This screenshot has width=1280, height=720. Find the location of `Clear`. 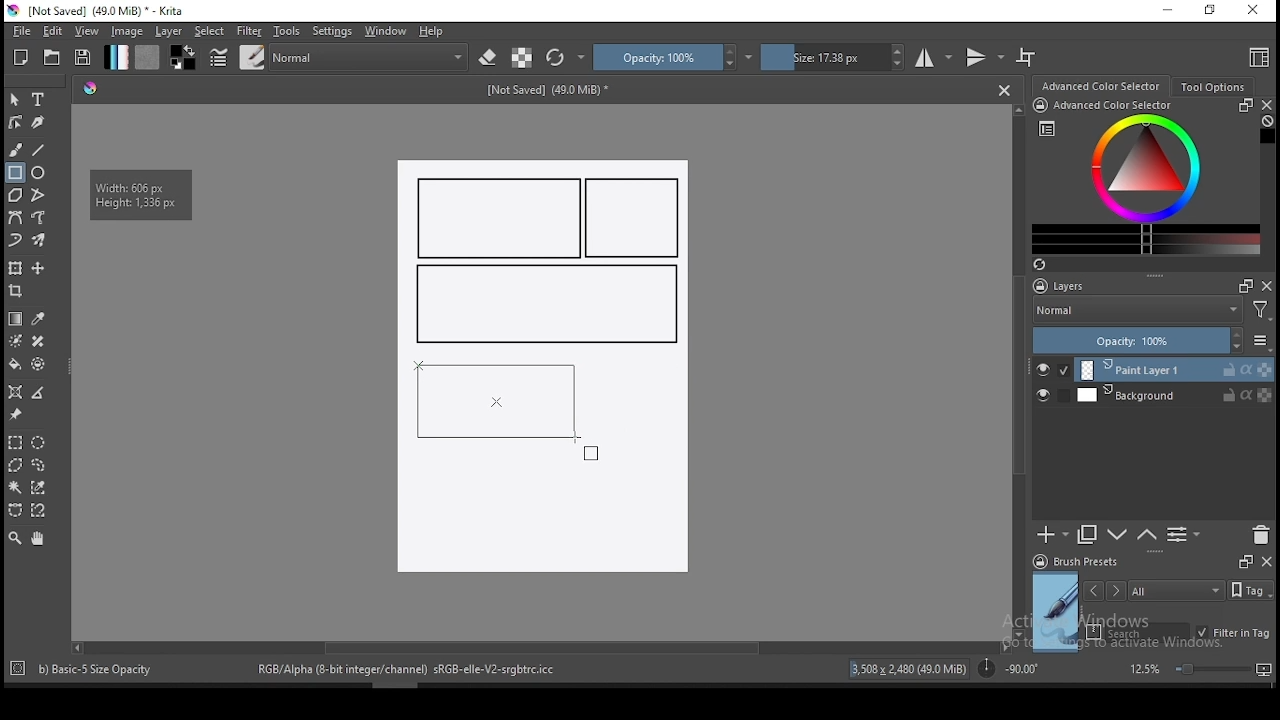

Clear is located at coordinates (1267, 123).